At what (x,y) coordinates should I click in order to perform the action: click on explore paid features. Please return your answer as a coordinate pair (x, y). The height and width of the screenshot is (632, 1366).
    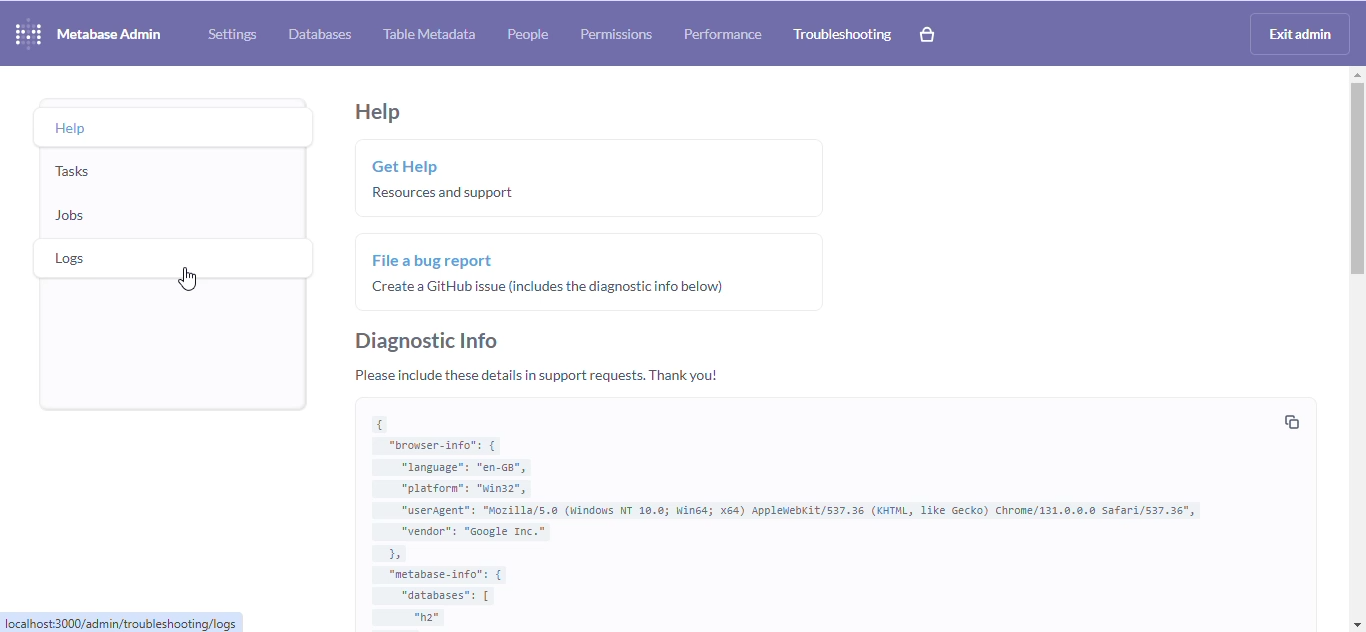
    Looking at the image, I should click on (927, 34).